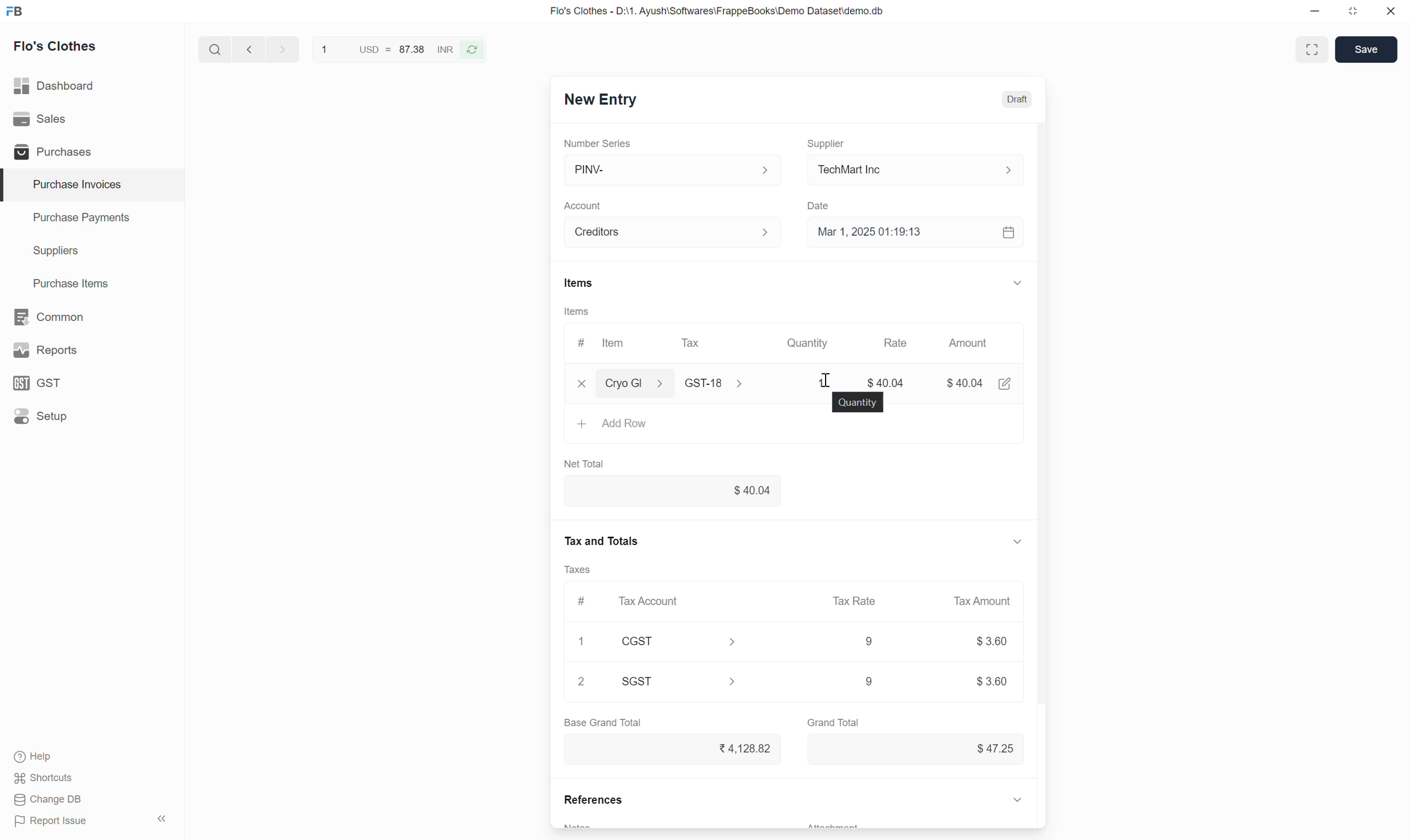 This screenshot has height=840, width=1410. What do you see at coordinates (866, 642) in the screenshot?
I see `9` at bounding box center [866, 642].